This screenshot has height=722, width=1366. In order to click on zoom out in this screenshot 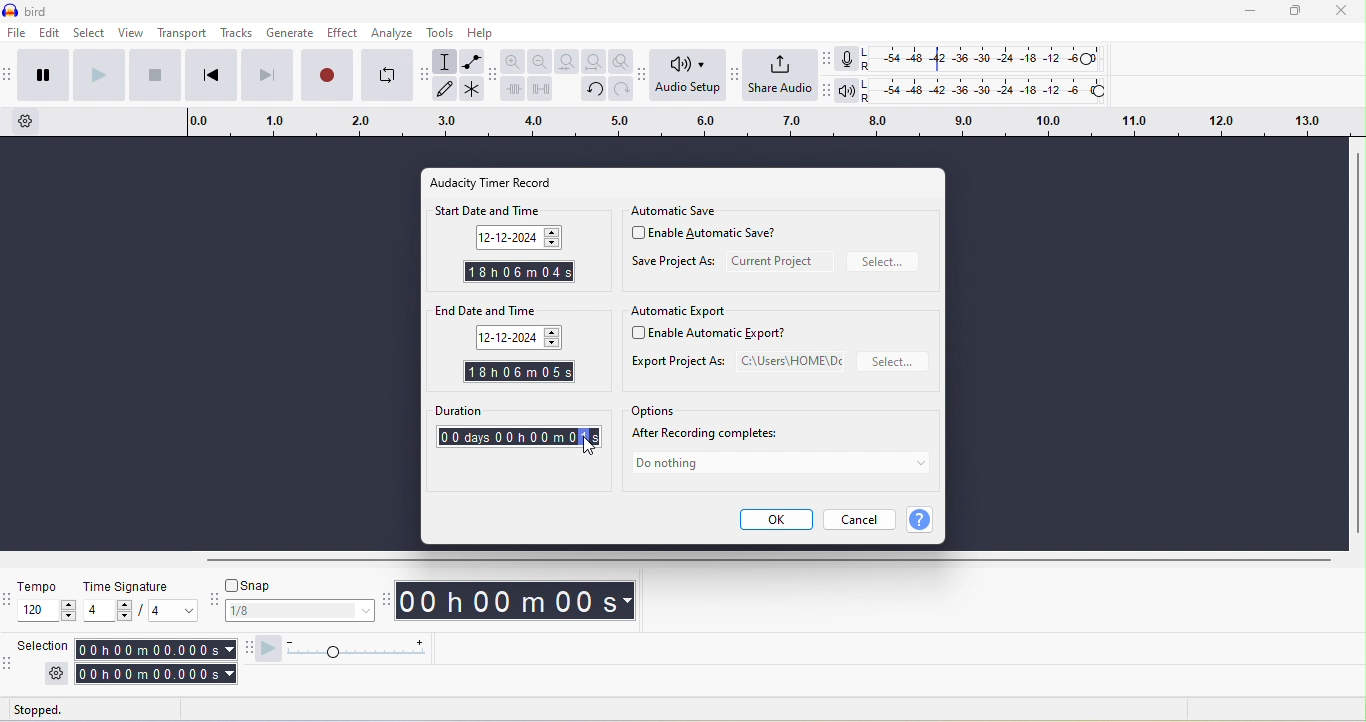, I will do `click(540, 61)`.